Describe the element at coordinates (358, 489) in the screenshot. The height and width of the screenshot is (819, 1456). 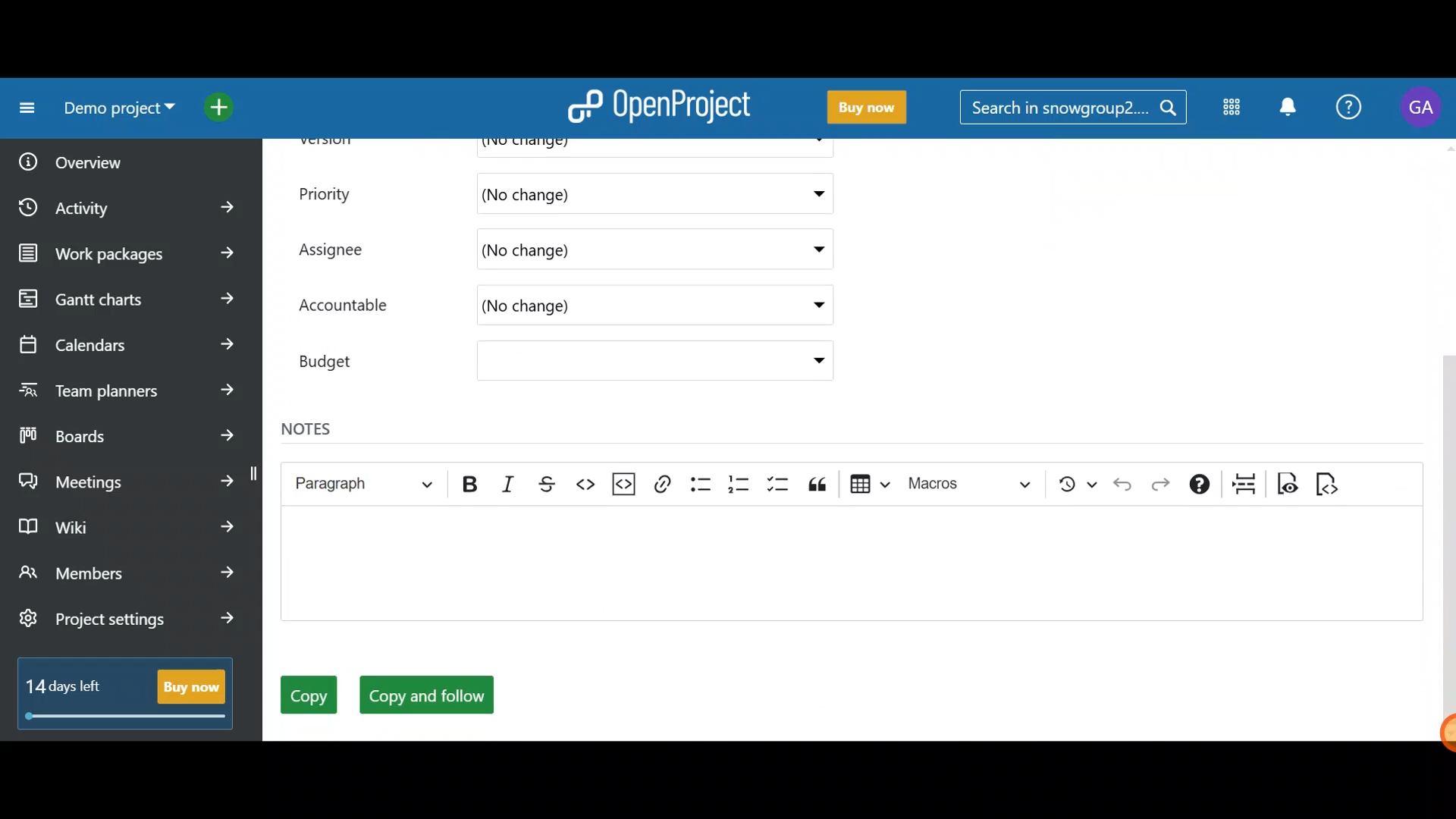
I see `Heading` at that location.